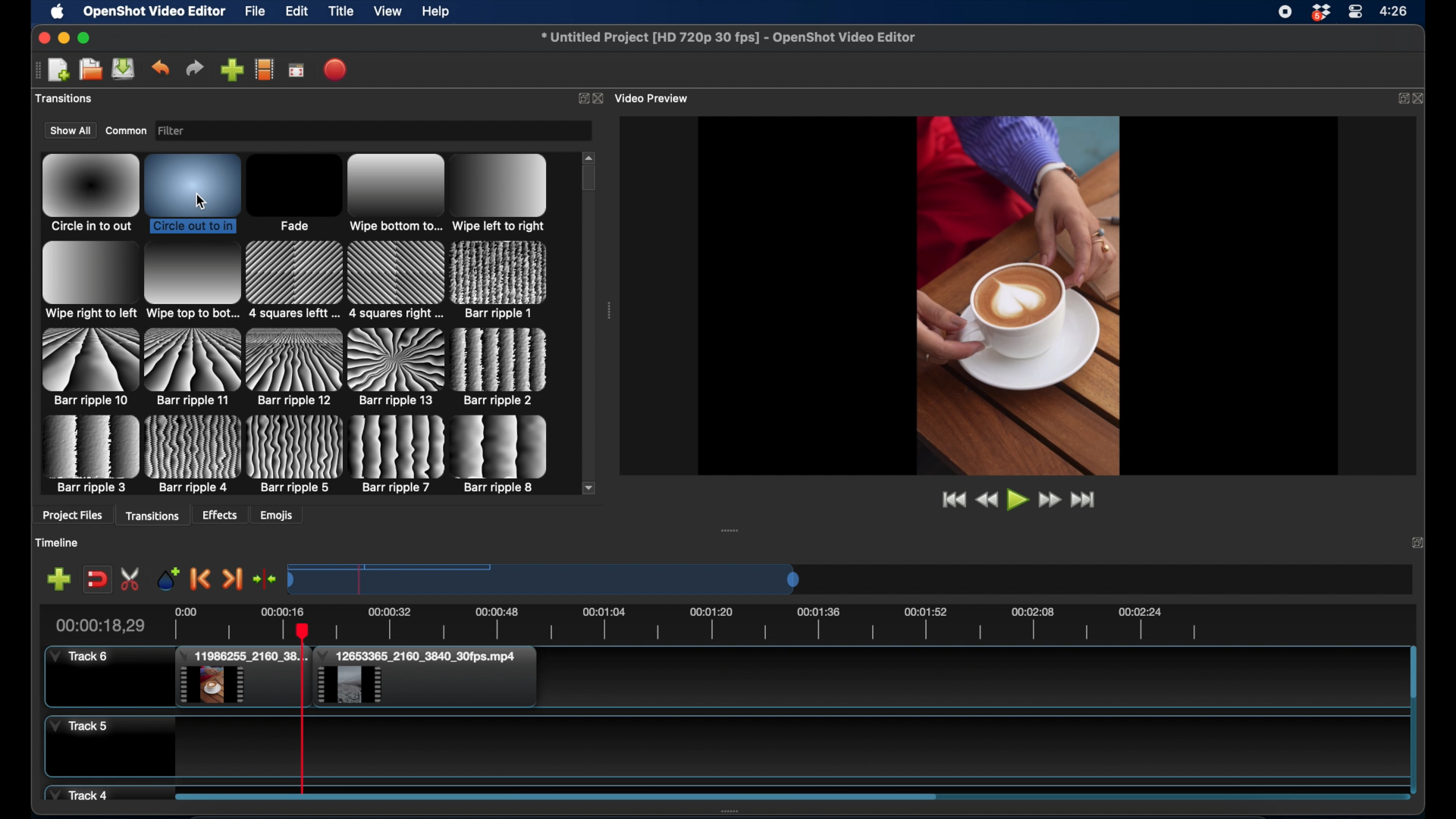  Describe the element at coordinates (986, 500) in the screenshot. I see `rewind` at that location.